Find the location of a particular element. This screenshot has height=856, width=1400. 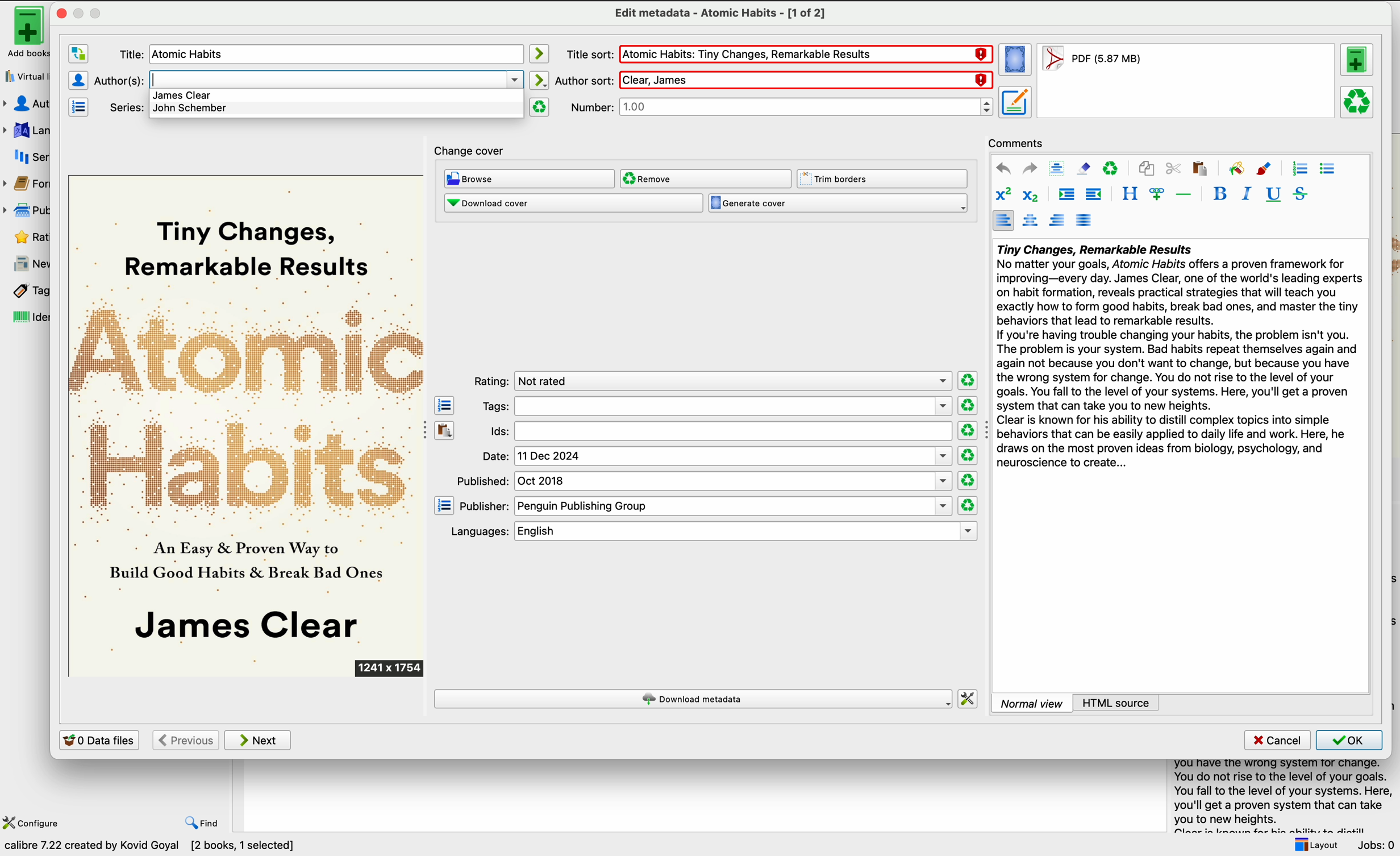

align left is located at coordinates (1003, 220).